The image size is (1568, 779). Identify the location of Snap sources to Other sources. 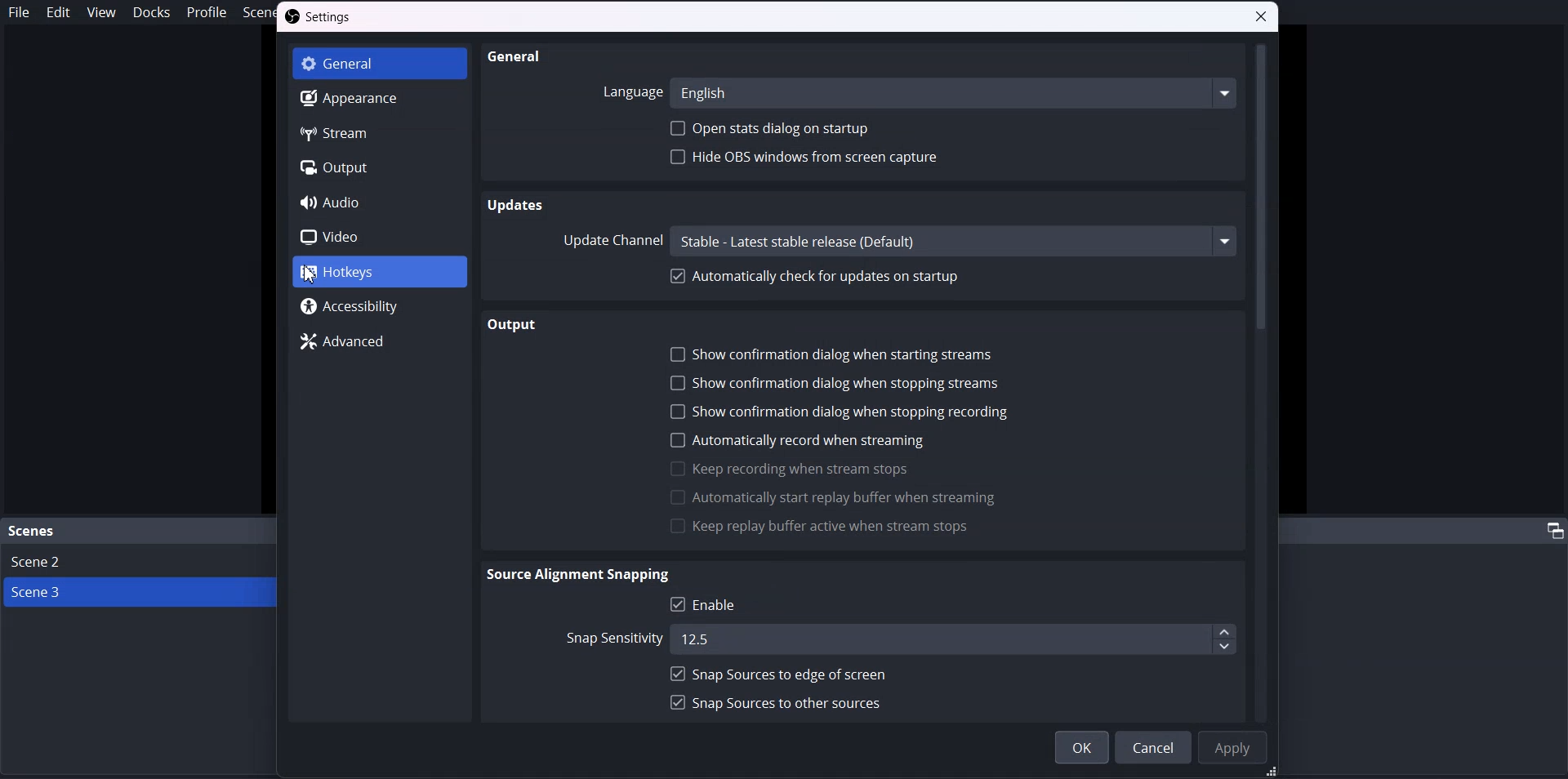
(779, 702).